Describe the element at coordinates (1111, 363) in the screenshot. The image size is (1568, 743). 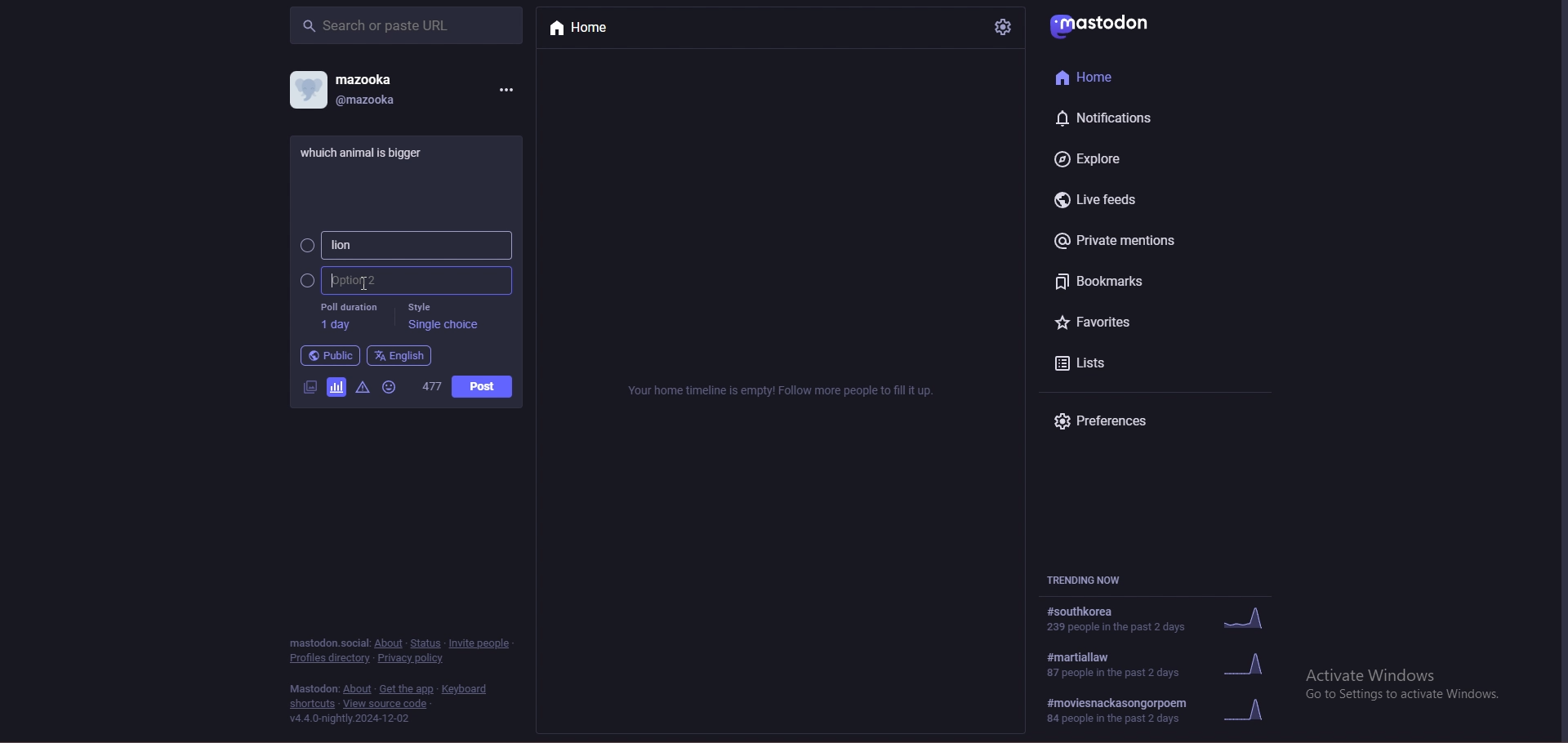
I see `lists` at that location.